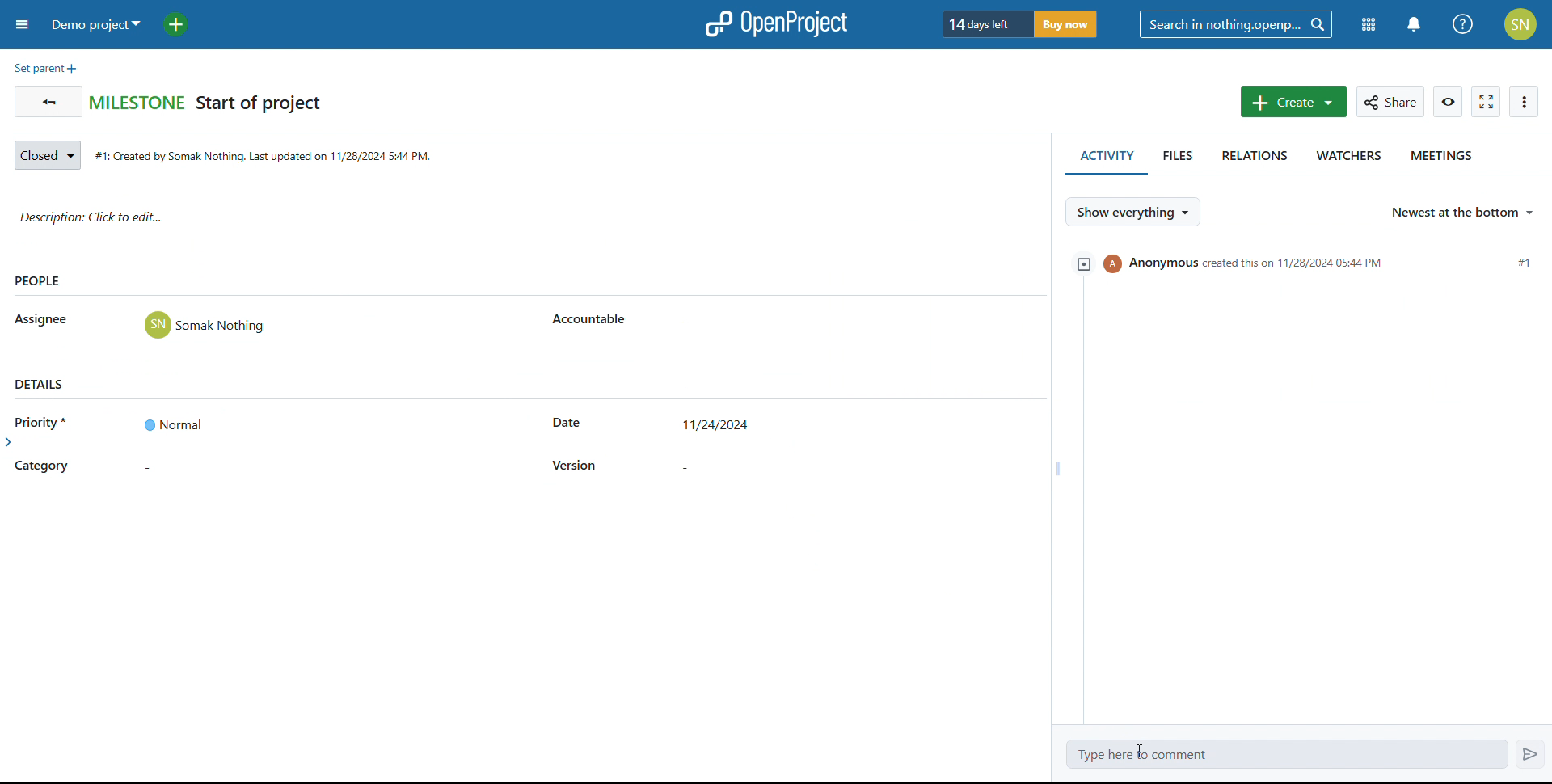 The width and height of the screenshot is (1552, 784). Describe the element at coordinates (576, 466) in the screenshot. I see `version` at that location.